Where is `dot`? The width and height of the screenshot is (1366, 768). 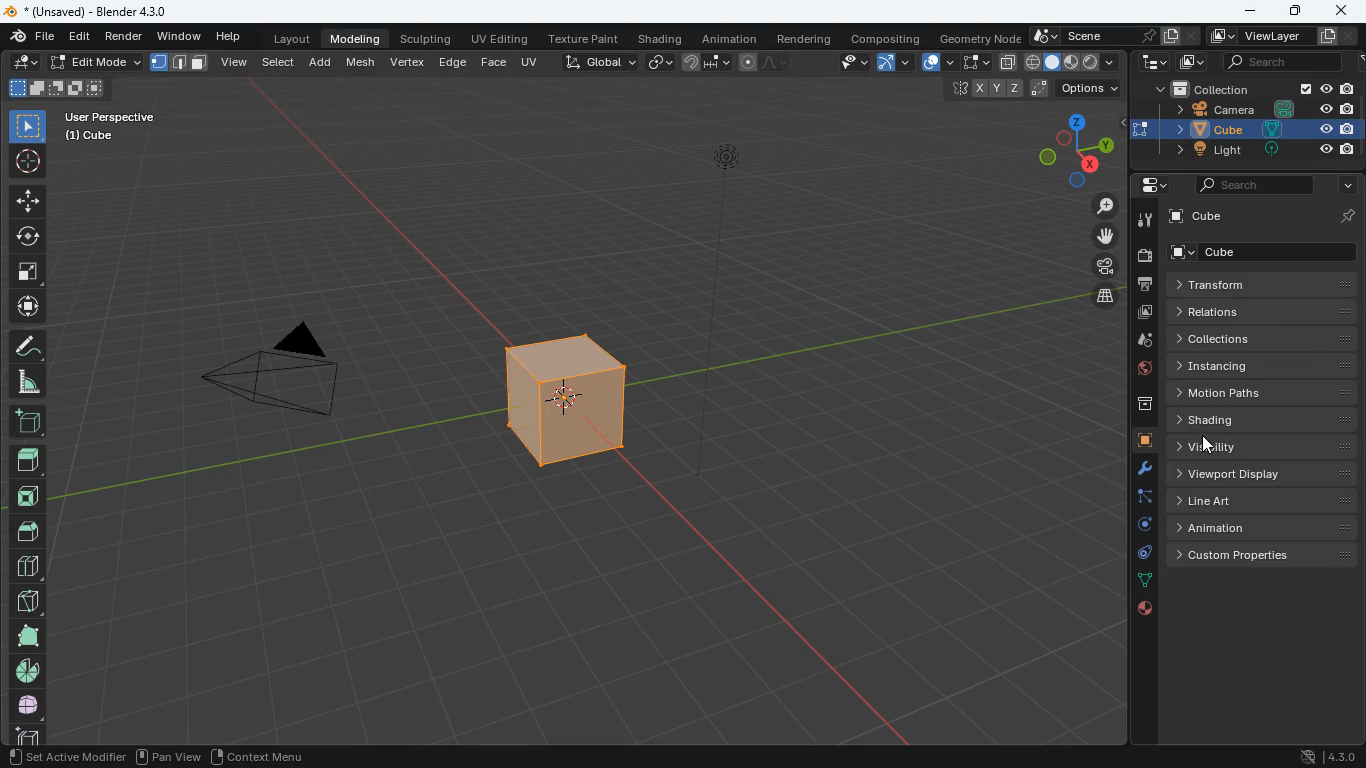
dot is located at coordinates (1144, 583).